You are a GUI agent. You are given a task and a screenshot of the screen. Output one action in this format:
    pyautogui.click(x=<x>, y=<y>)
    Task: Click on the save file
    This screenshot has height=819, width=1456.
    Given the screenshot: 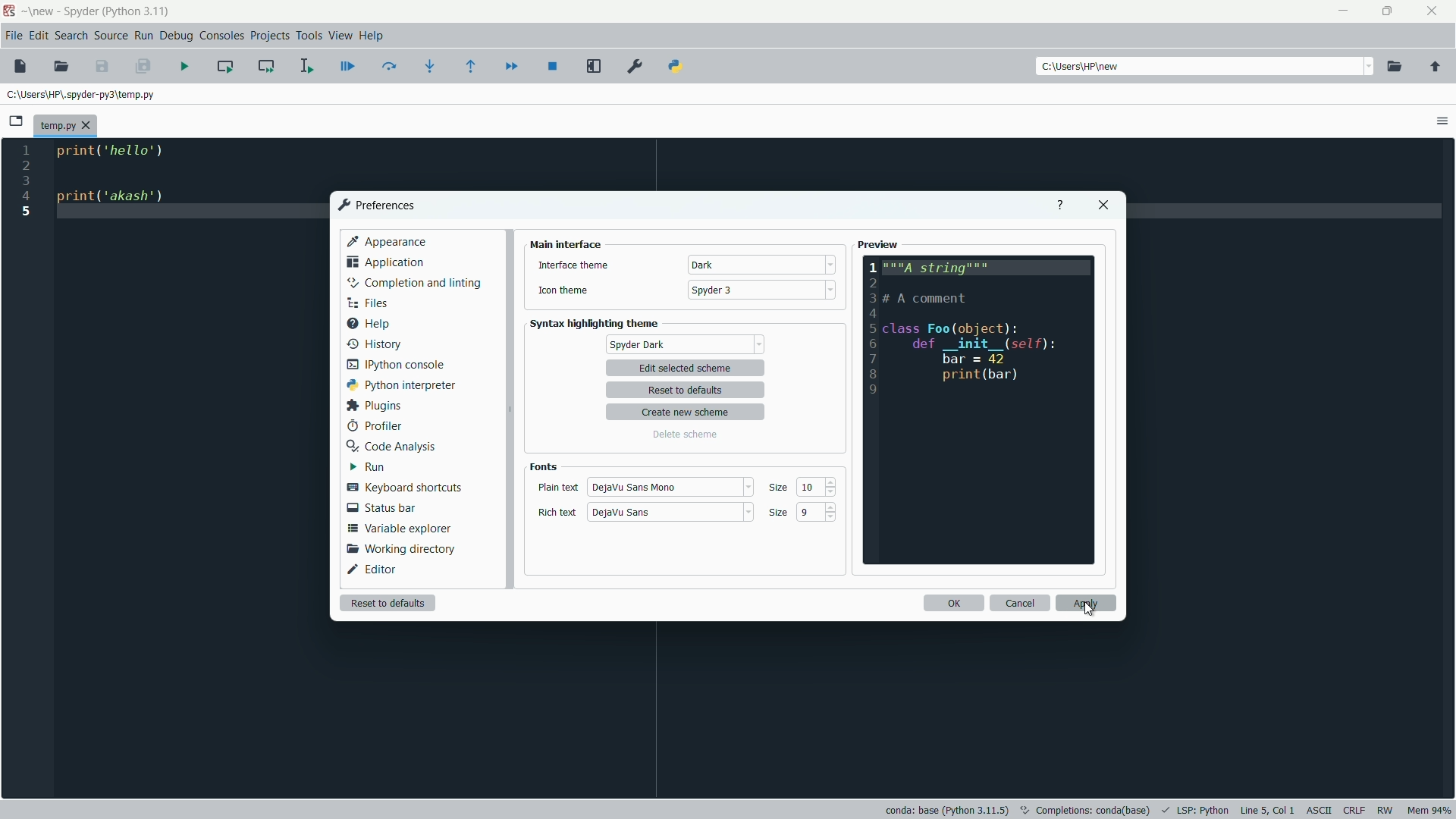 What is the action you would take?
    pyautogui.click(x=103, y=67)
    